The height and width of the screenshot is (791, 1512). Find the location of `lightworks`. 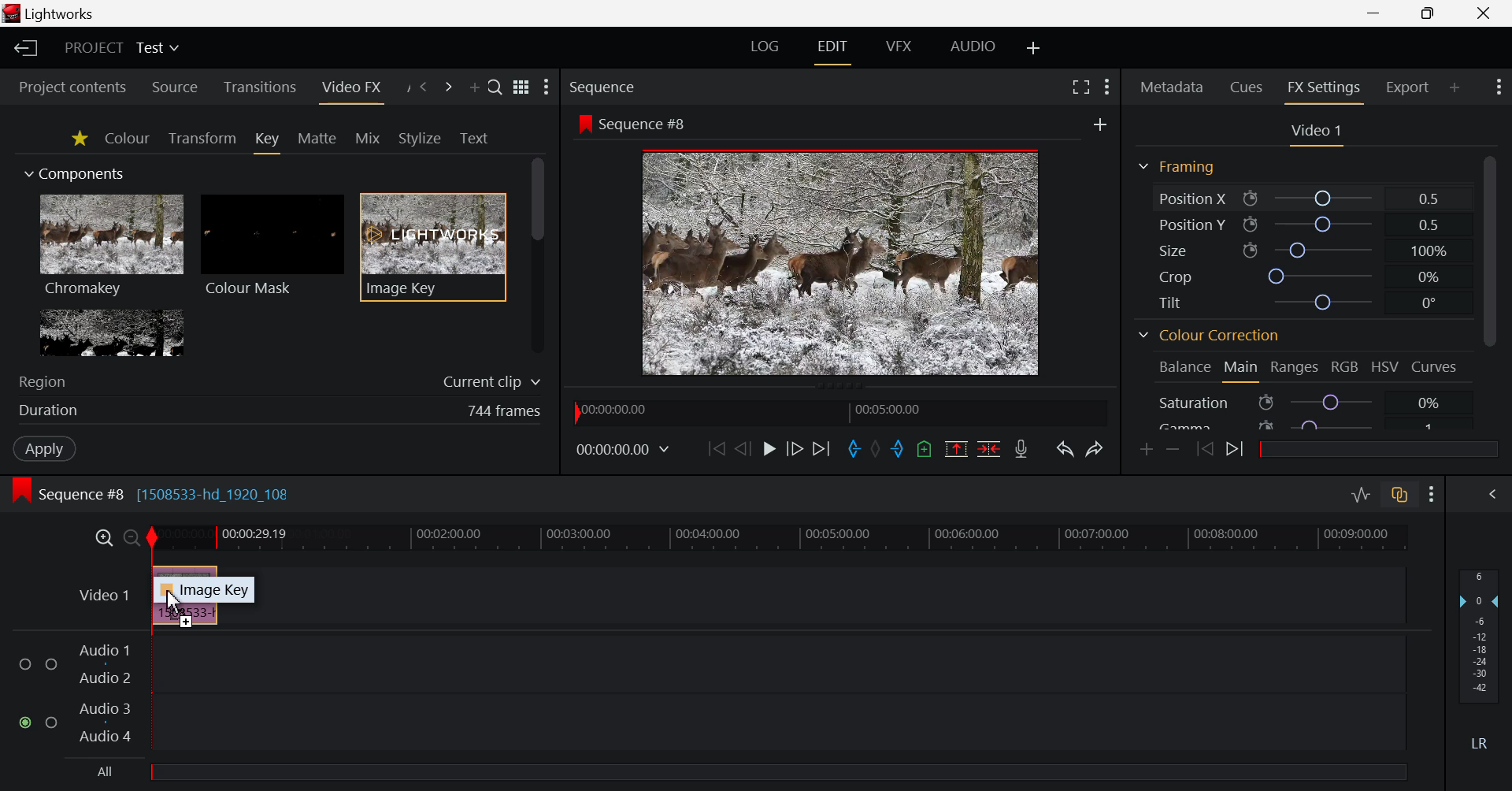

lightworks is located at coordinates (52, 14).